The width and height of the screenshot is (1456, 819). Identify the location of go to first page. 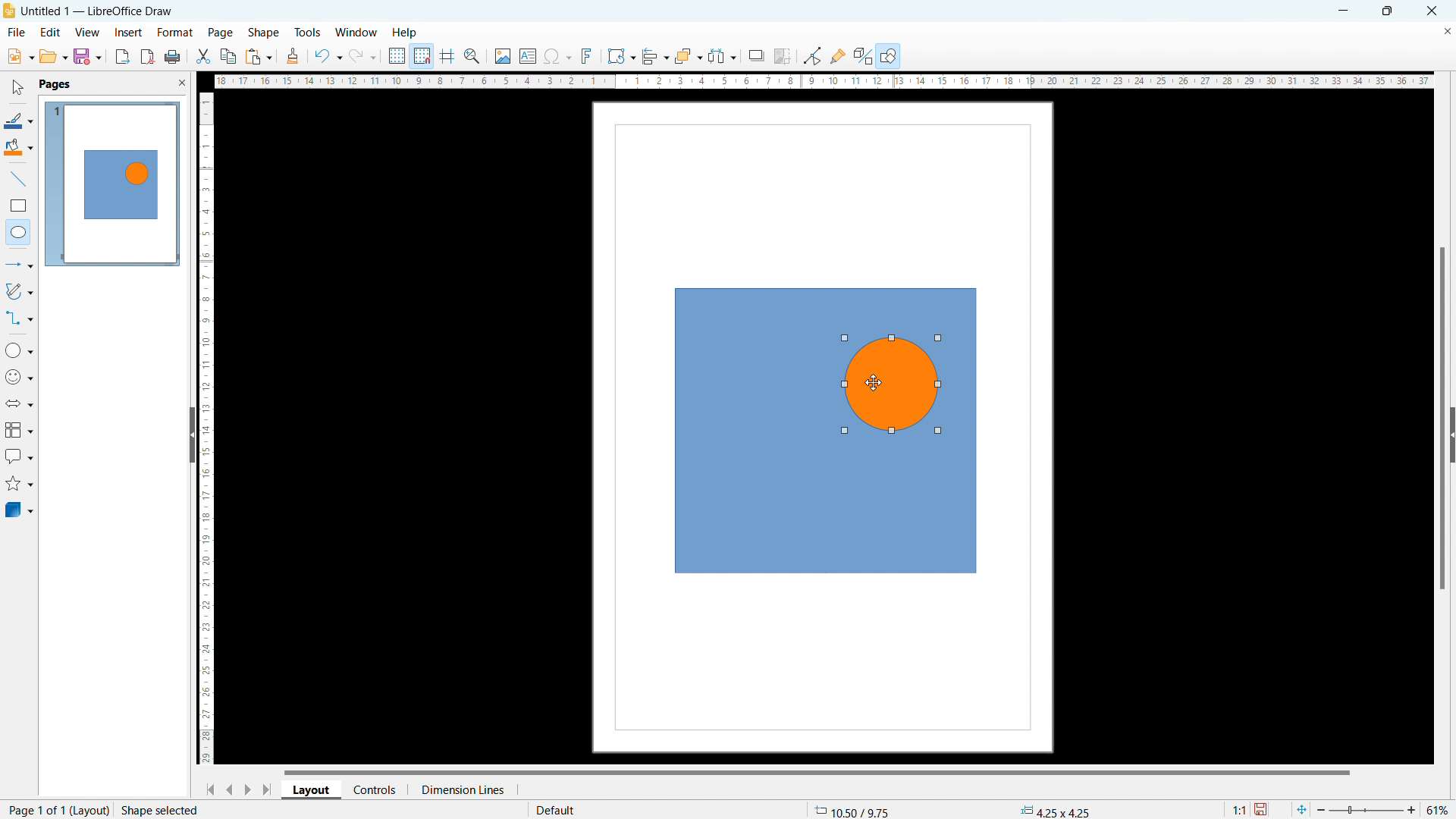
(208, 789).